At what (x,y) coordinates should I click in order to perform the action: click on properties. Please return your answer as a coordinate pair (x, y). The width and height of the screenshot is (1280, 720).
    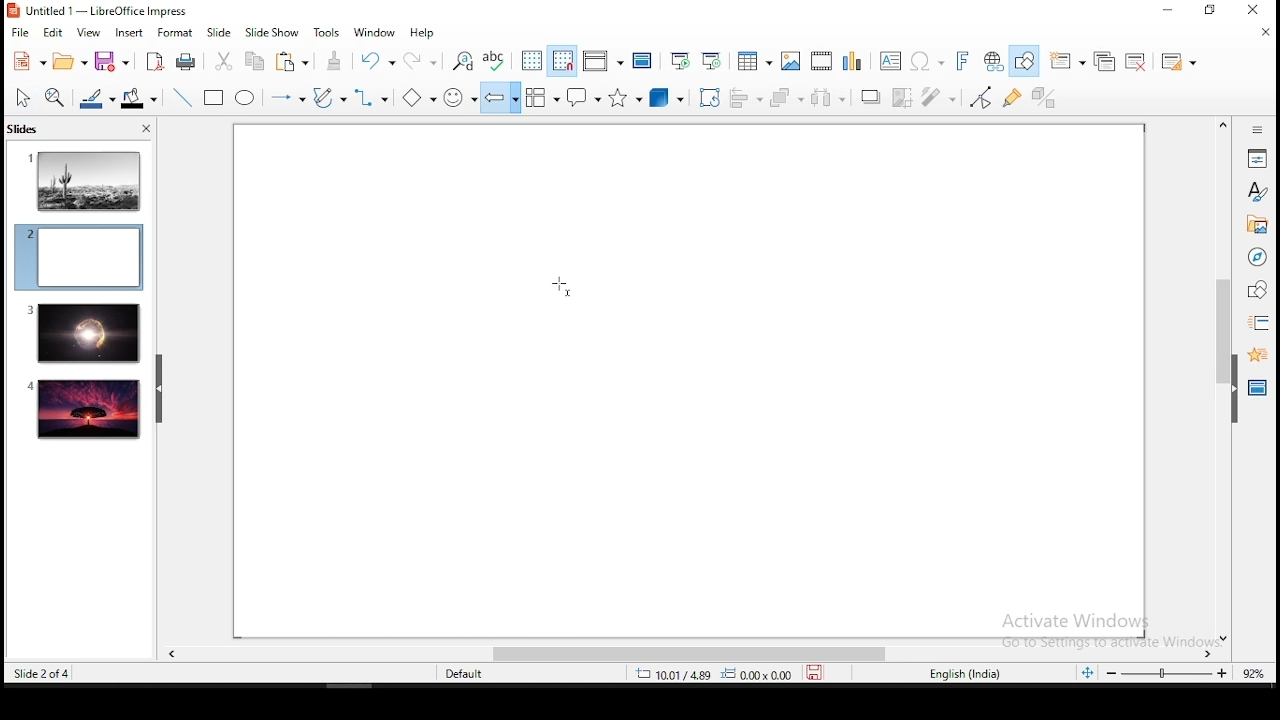
    Looking at the image, I should click on (1257, 157).